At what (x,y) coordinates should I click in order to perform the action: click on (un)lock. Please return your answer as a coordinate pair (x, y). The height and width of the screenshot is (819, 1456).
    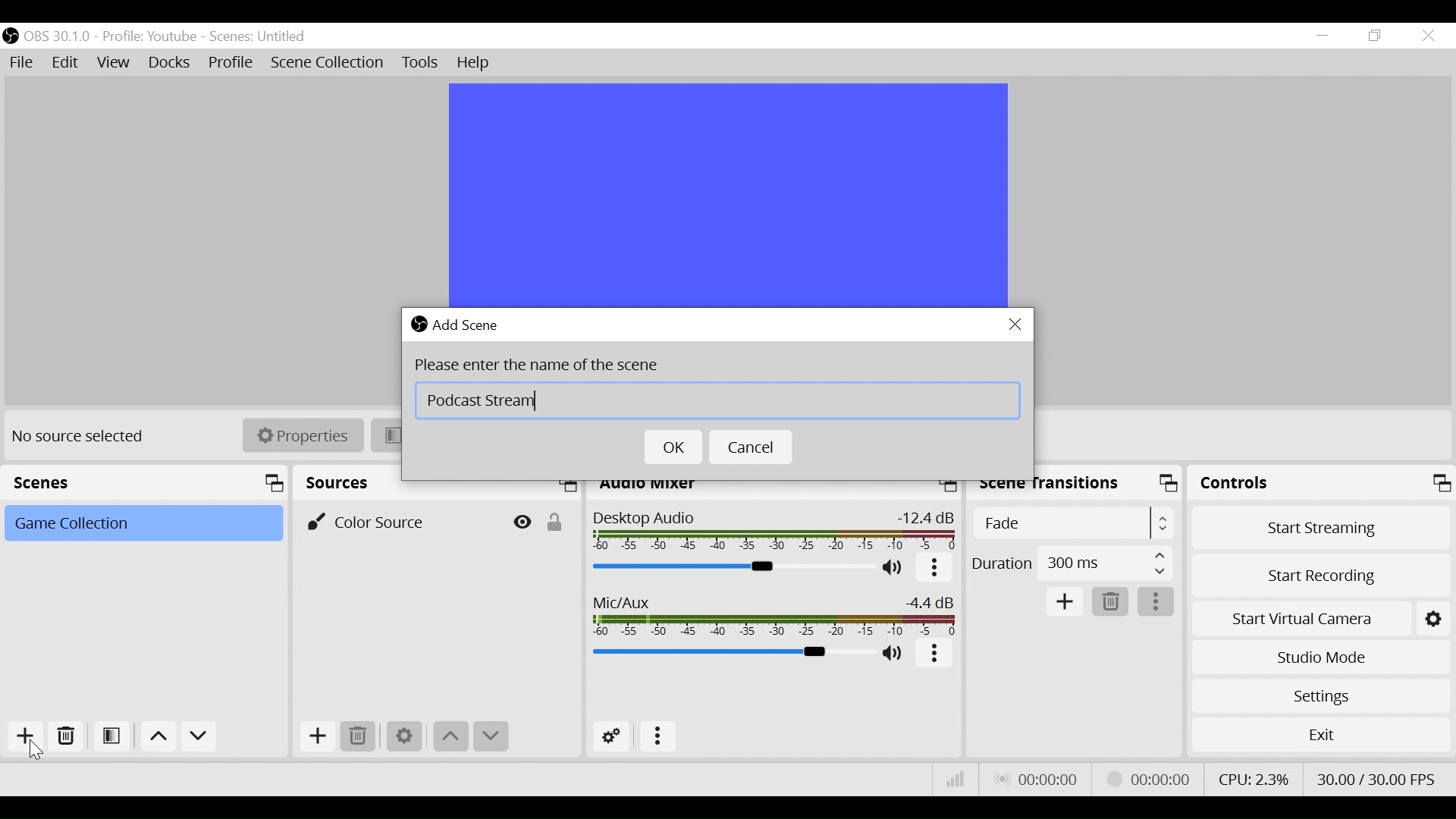
    Looking at the image, I should click on (558, 521).